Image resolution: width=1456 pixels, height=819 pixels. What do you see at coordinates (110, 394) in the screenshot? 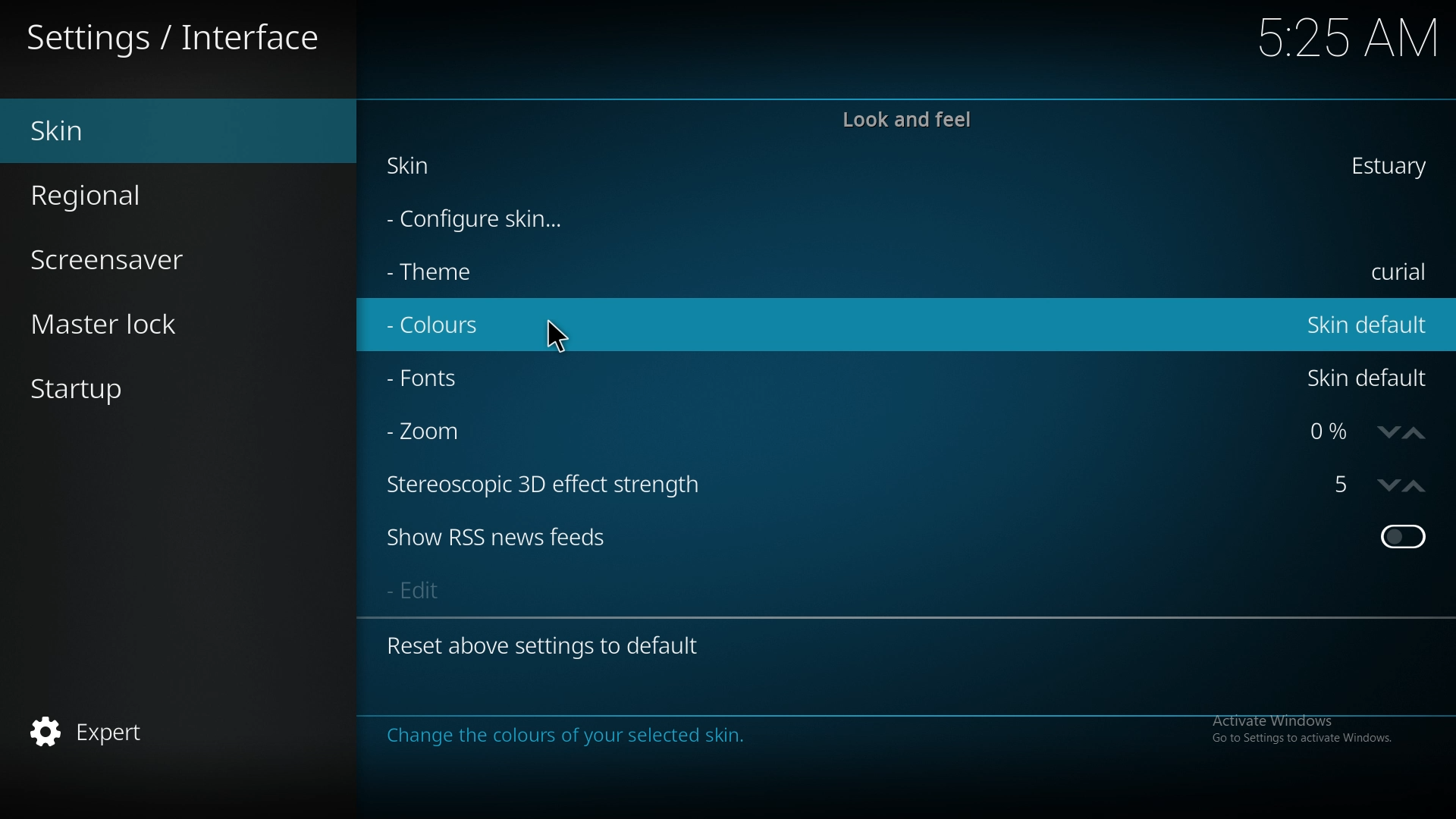
I see `startup` at bounding box center [110, 394].